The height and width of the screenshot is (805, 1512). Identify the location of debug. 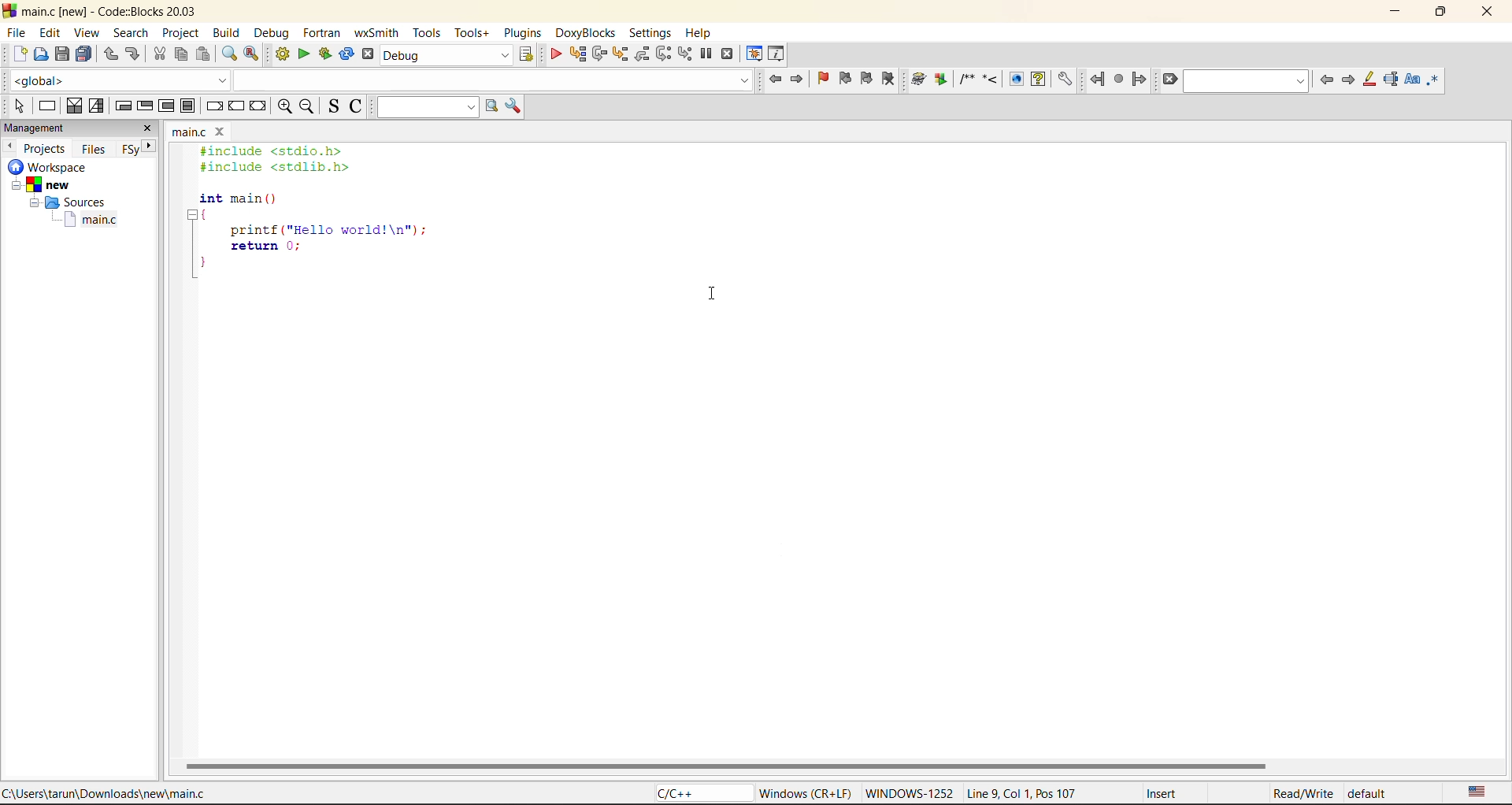
(276, 35).